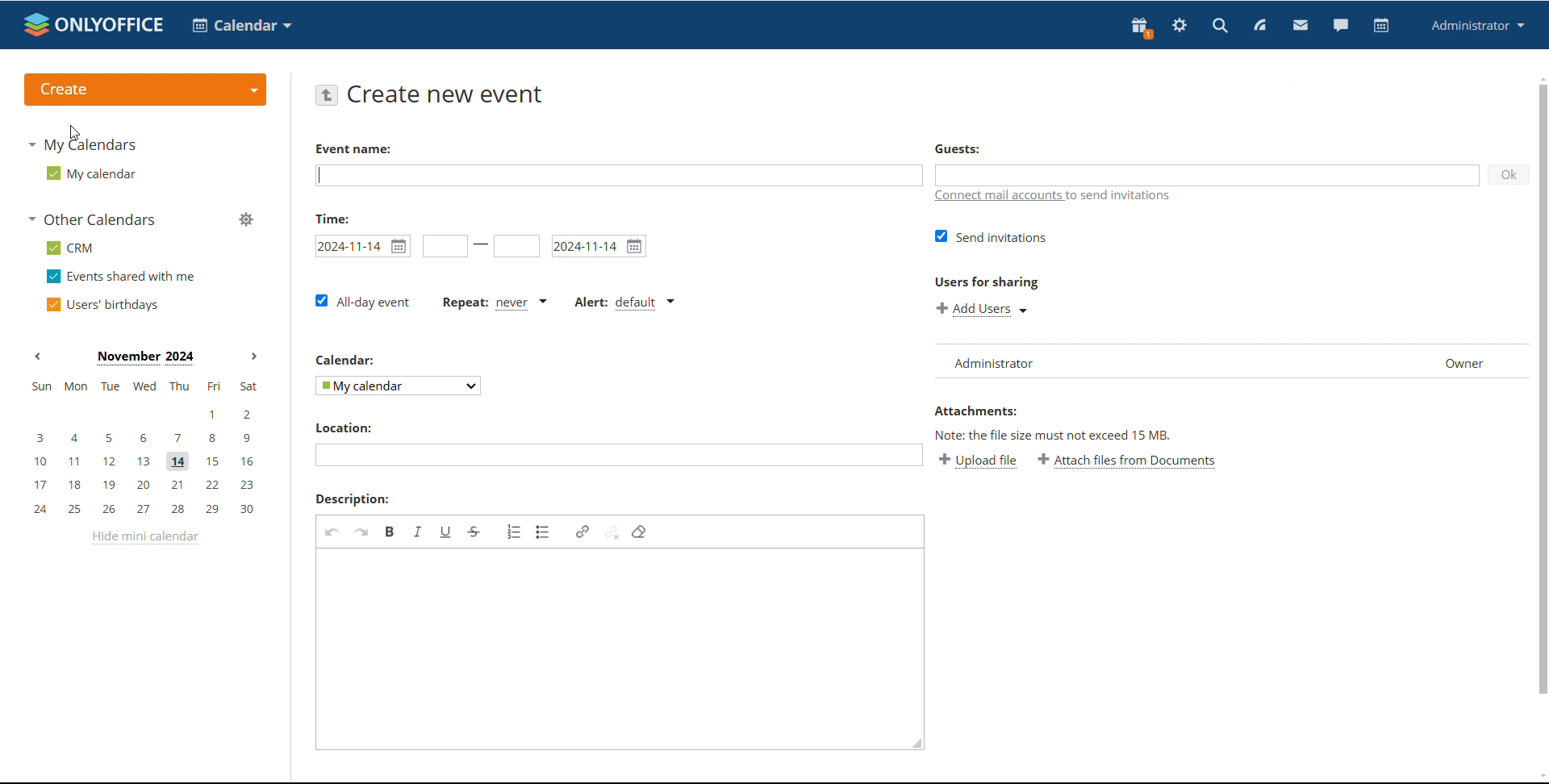 The width and height of the screenshot is (1549, 784). Describe the element at coordinates (612, 644) in the screenshot. I see `add description` at that location.